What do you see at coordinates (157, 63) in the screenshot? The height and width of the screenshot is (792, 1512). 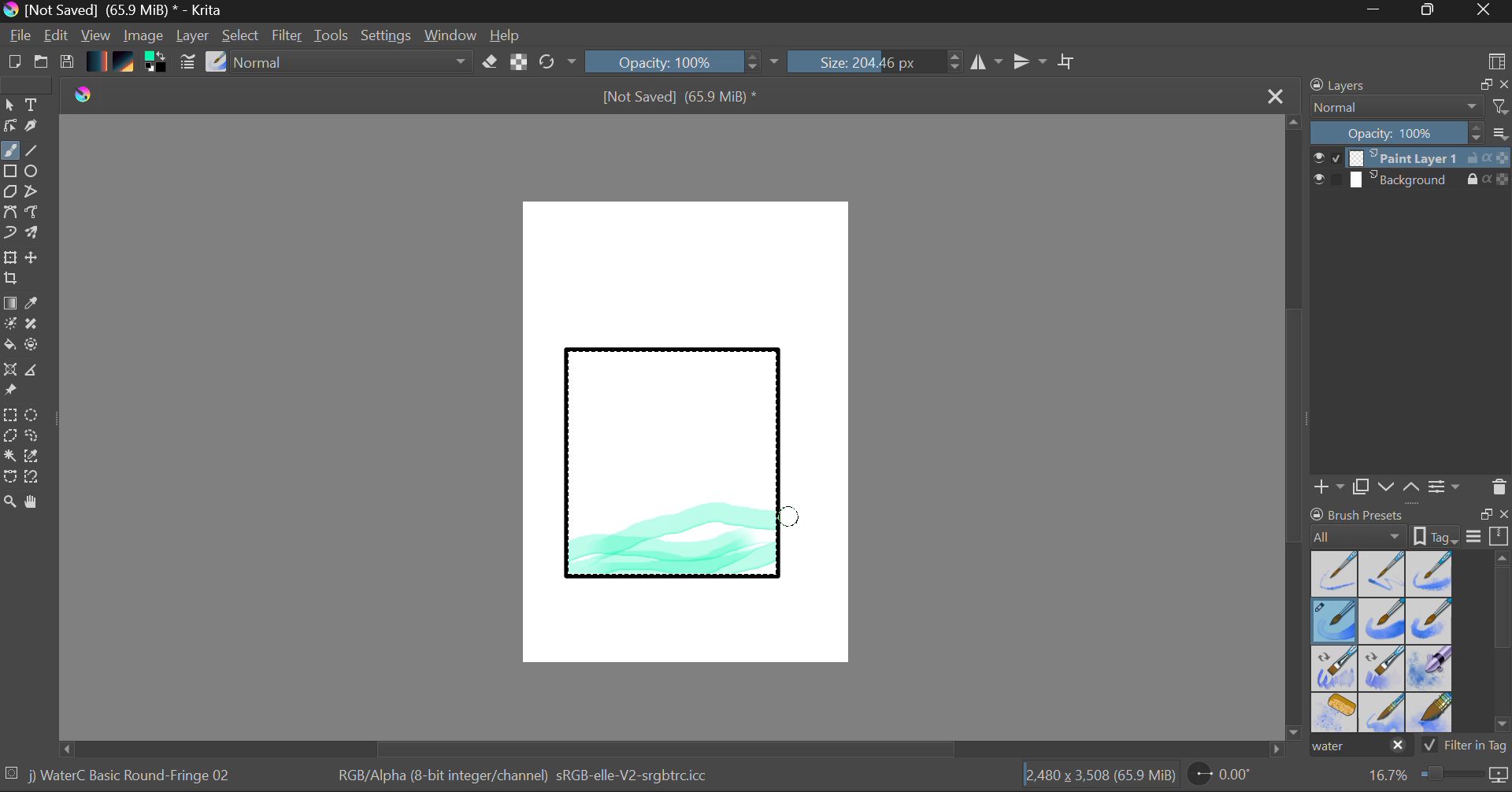 I see `Colors in use` at bounding box center [157, 63].